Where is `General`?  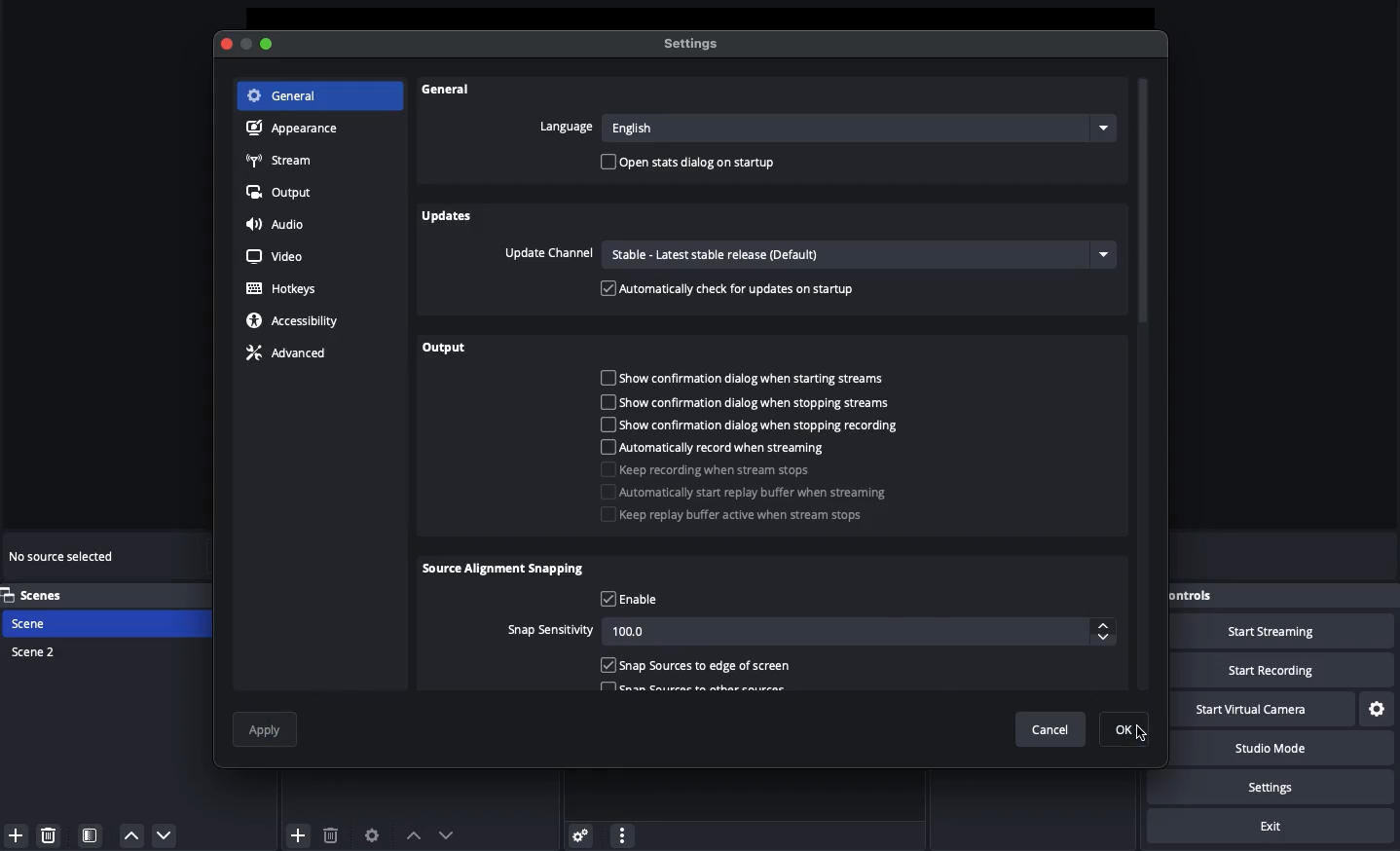
General is located at coordinates (449, 94).